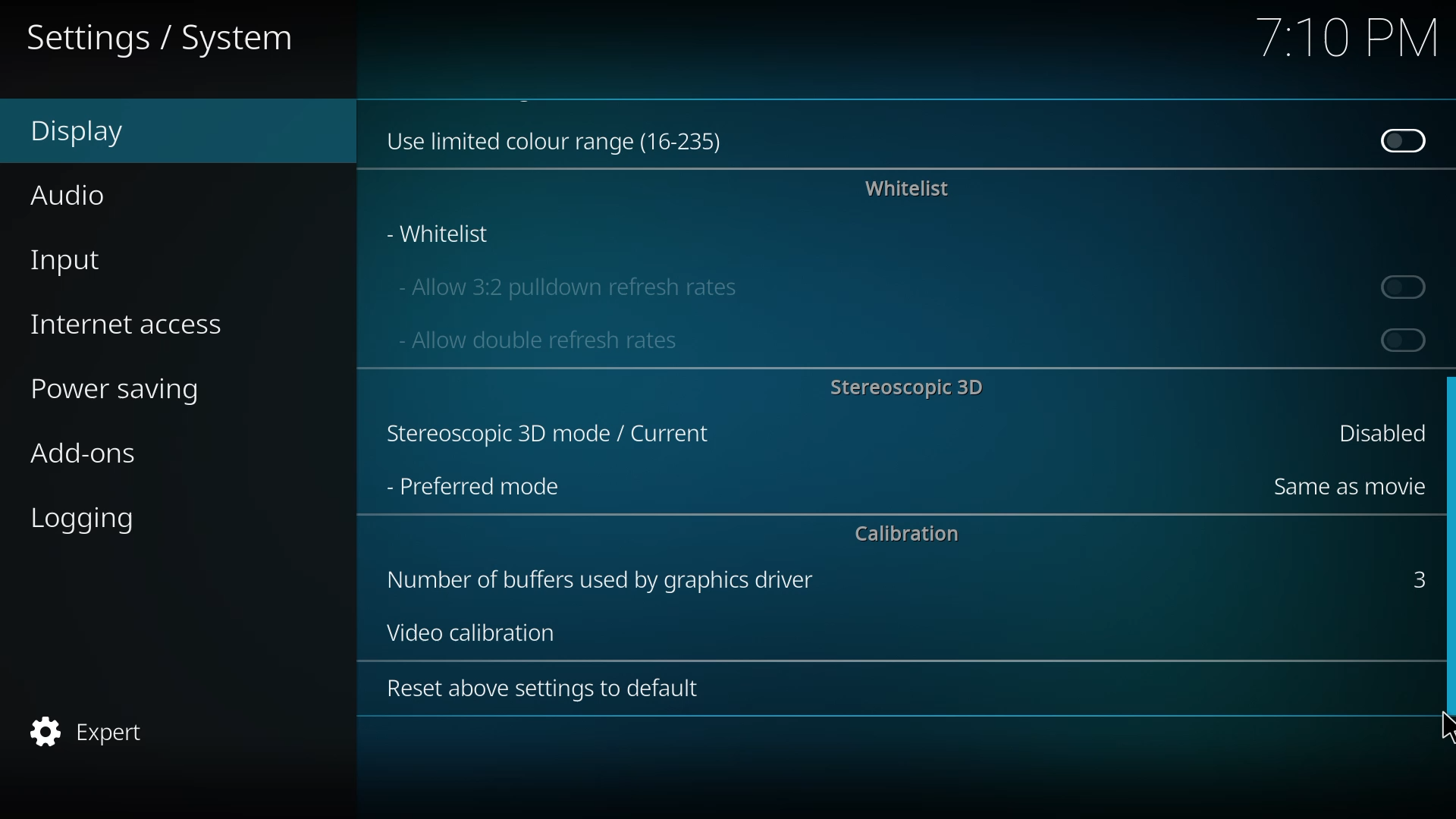 The width and height of the screenshot is (1456, 819). I want to click on disabled, so click(1400, 140).